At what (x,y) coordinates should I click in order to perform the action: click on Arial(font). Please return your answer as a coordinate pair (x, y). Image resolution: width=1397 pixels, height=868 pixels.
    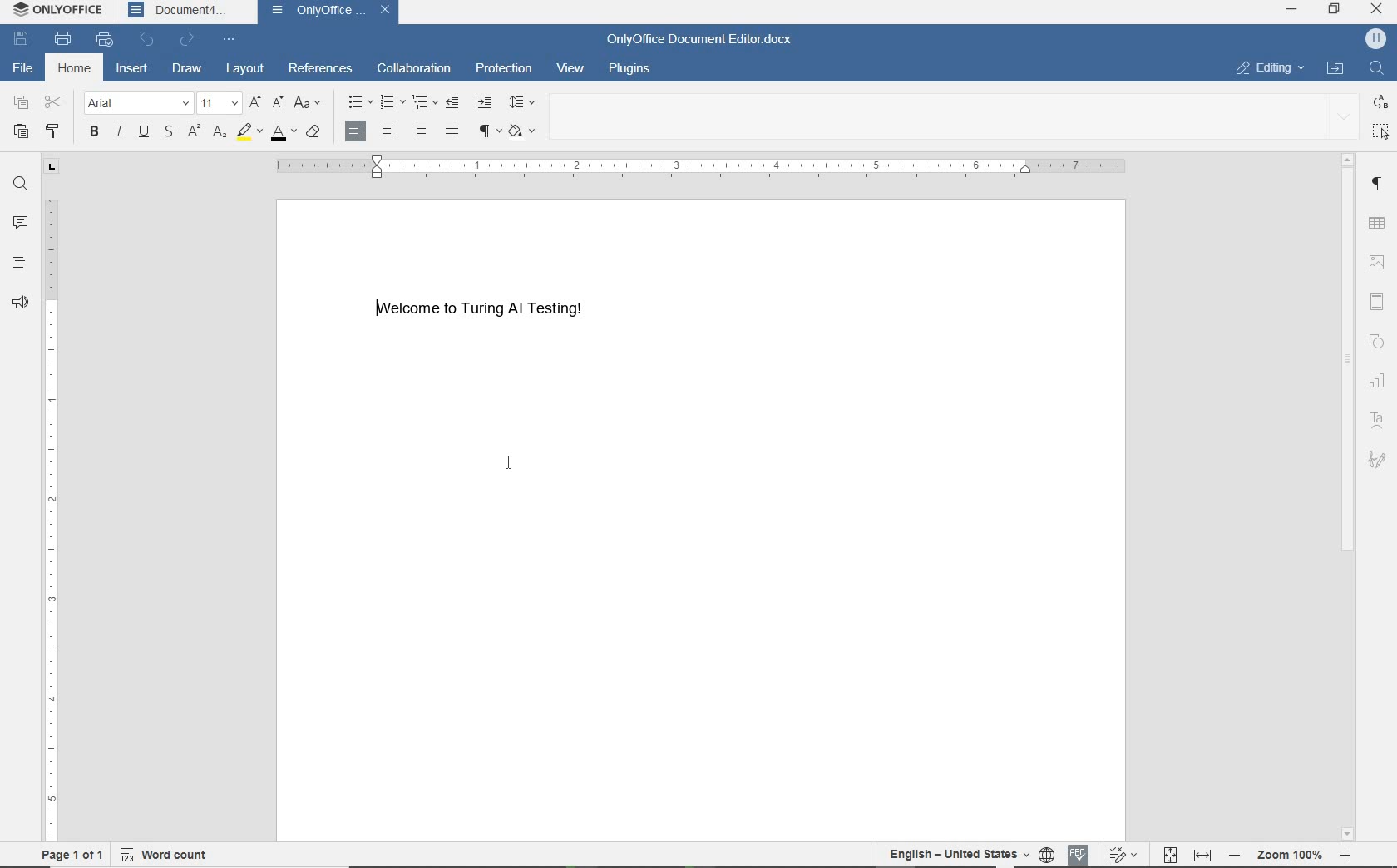
    Looking at the image, I should click on (138, 103).